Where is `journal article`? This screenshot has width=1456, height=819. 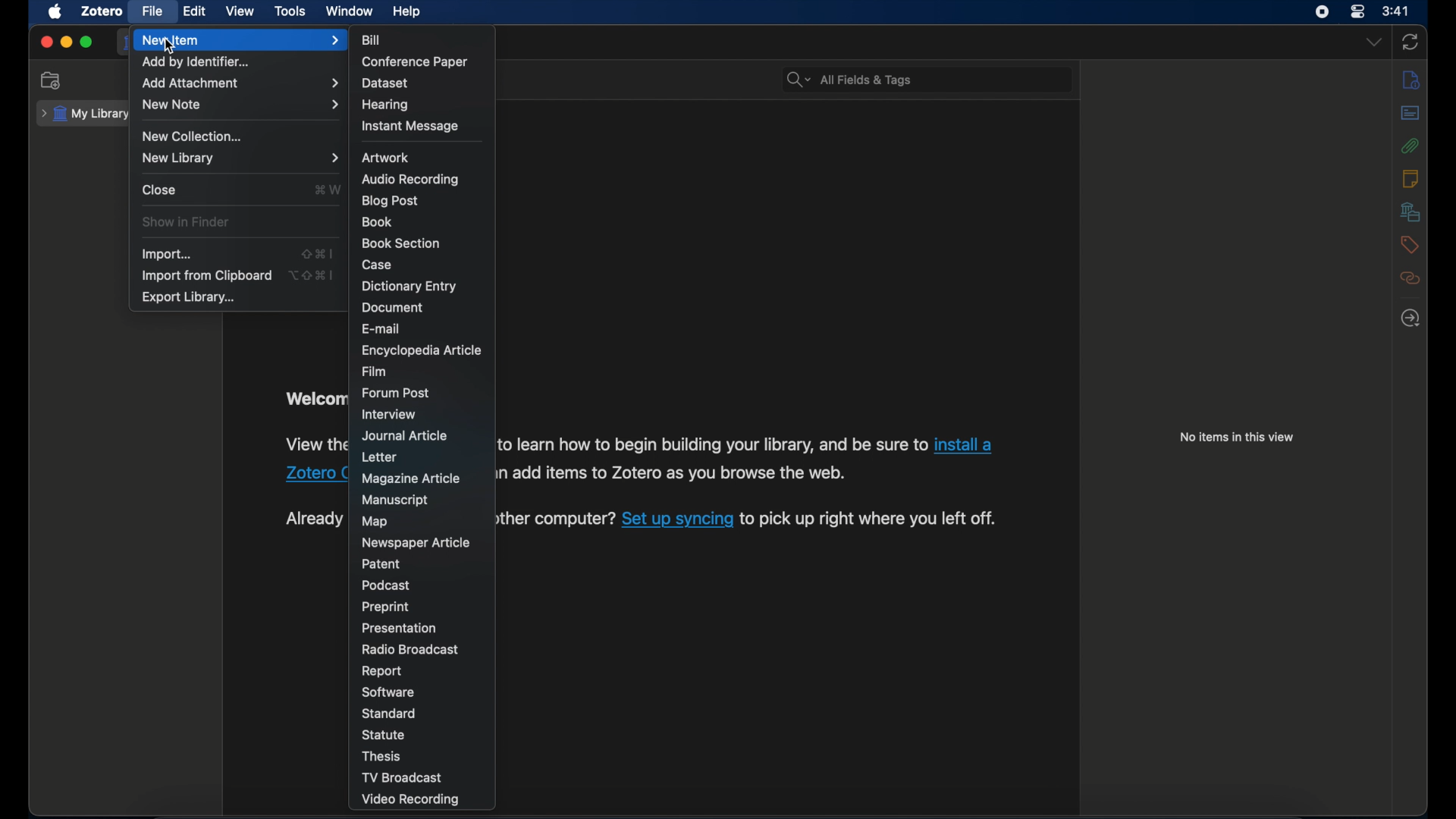
journal article is located at coordinates (406, 436).